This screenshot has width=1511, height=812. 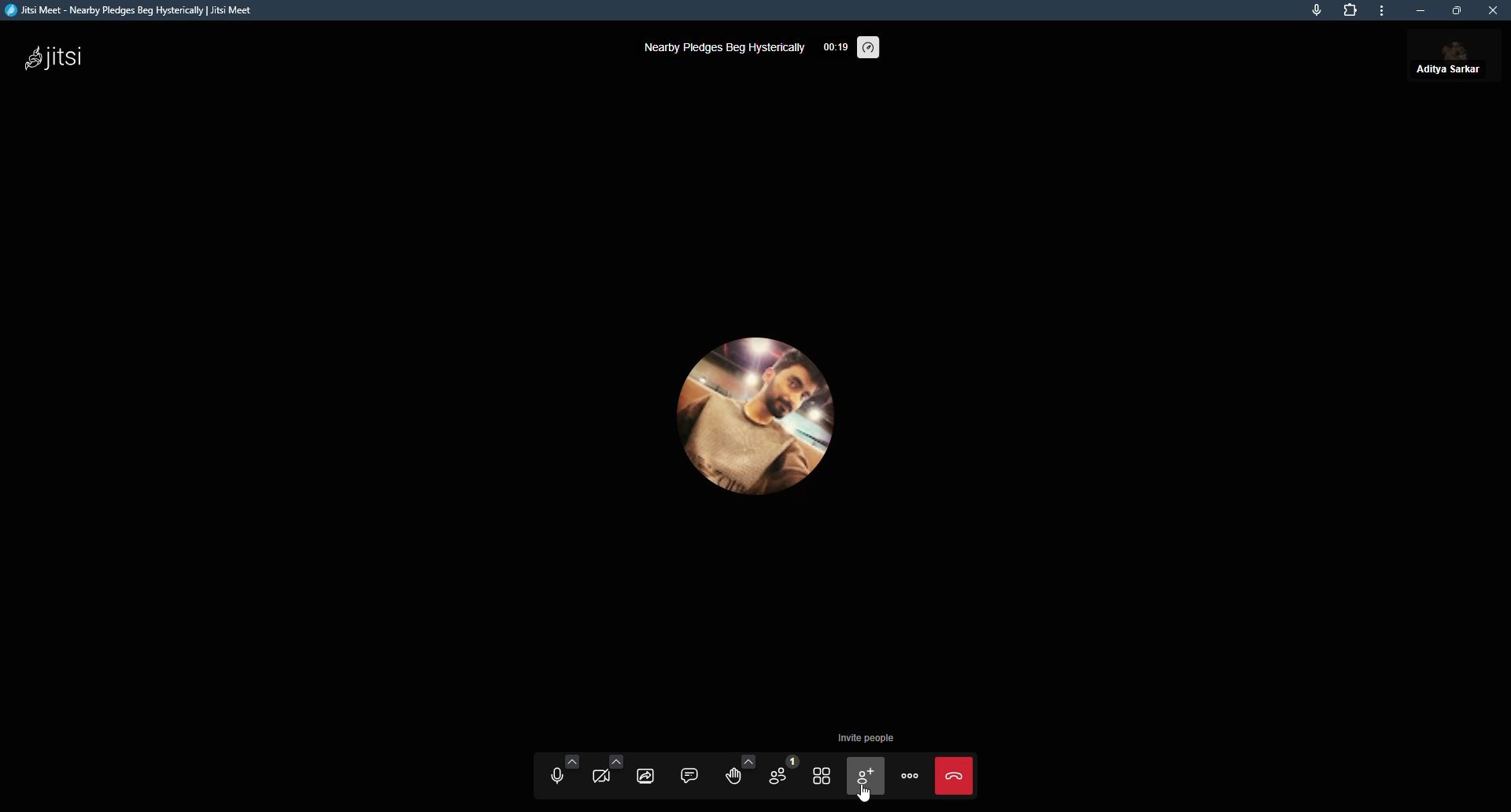 I want to click on participants, so click(x=781, y=773).